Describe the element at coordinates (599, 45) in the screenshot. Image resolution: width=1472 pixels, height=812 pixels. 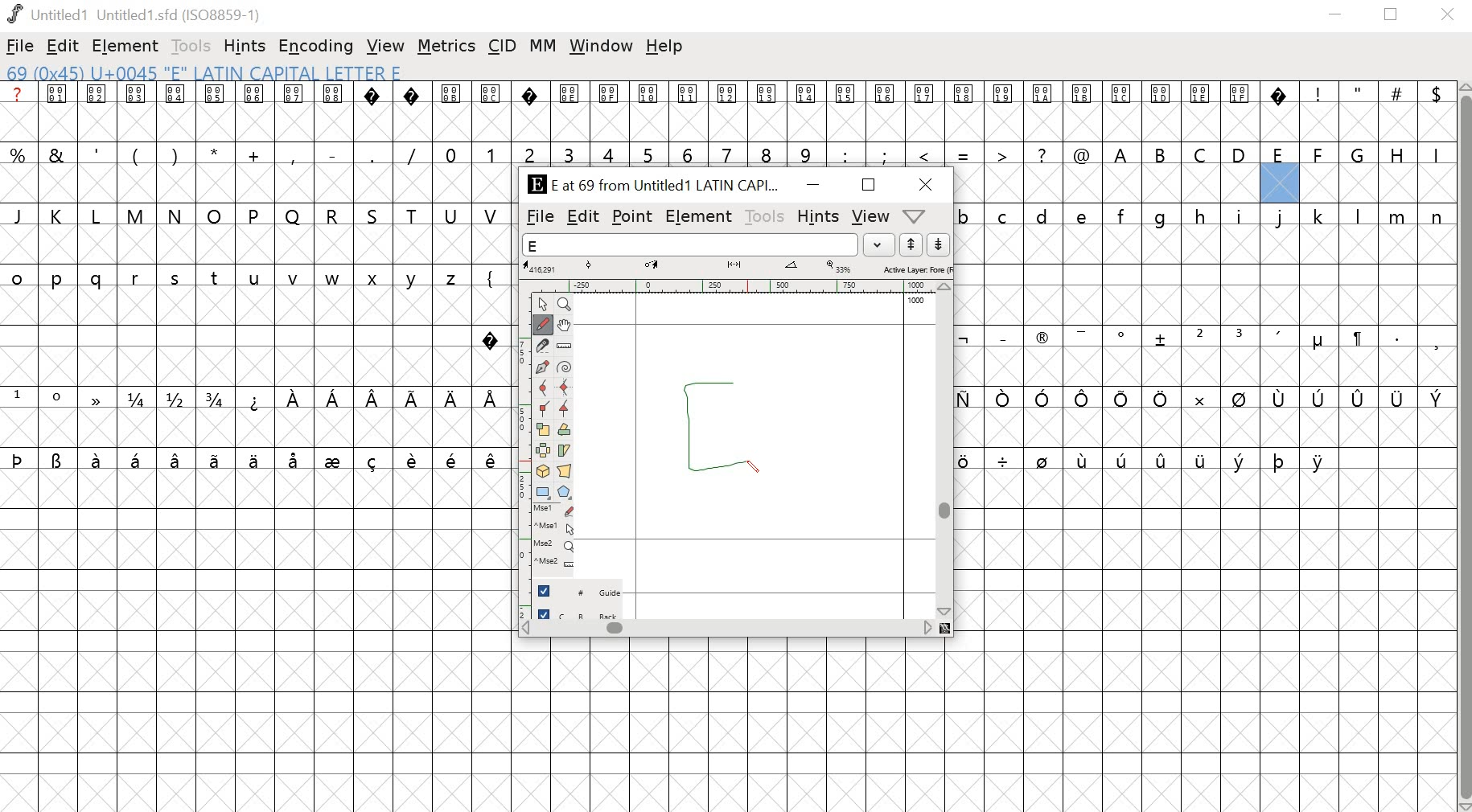
I see `window` at that location.